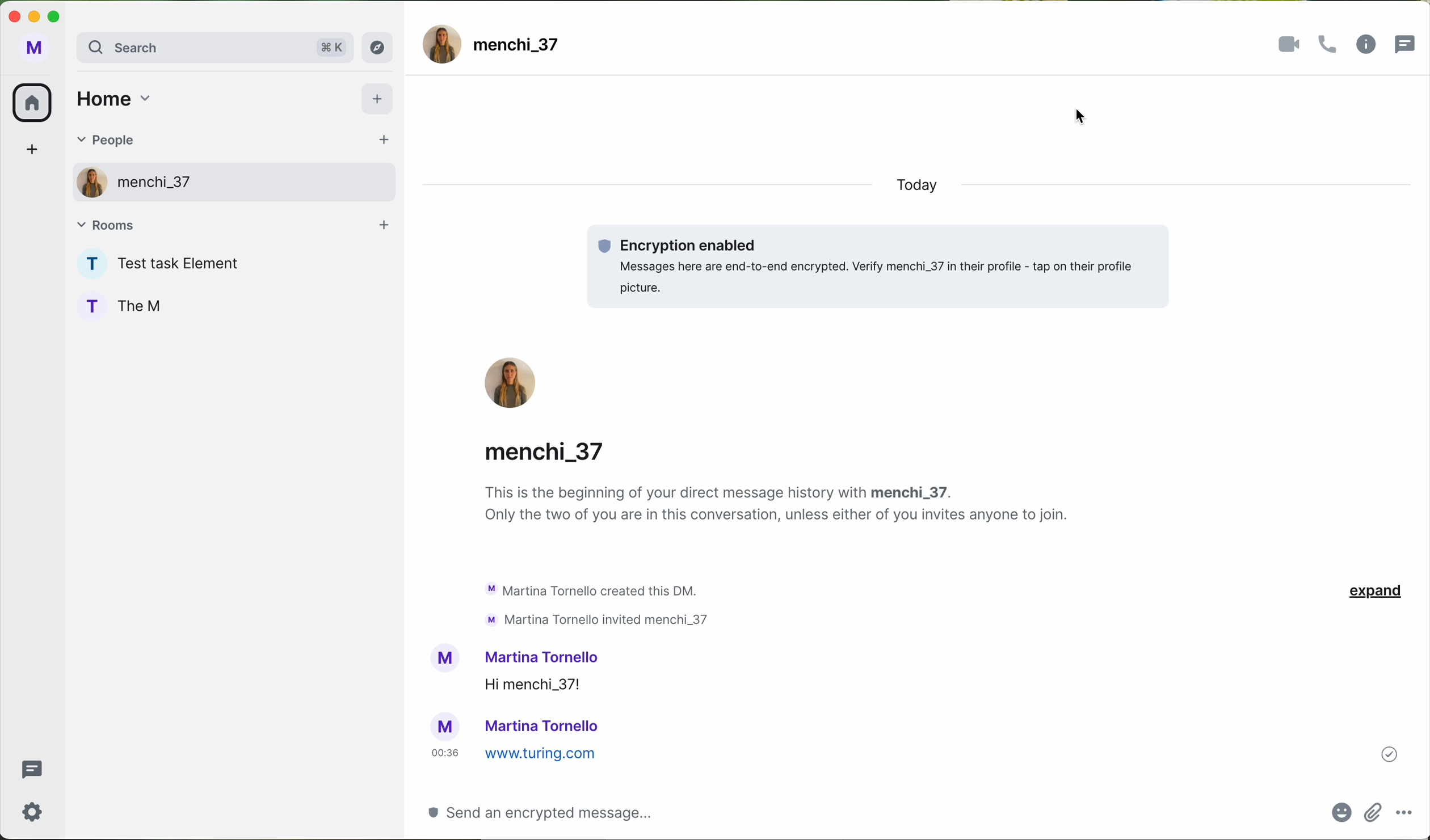  I want to click on notes, so click(779, 512).